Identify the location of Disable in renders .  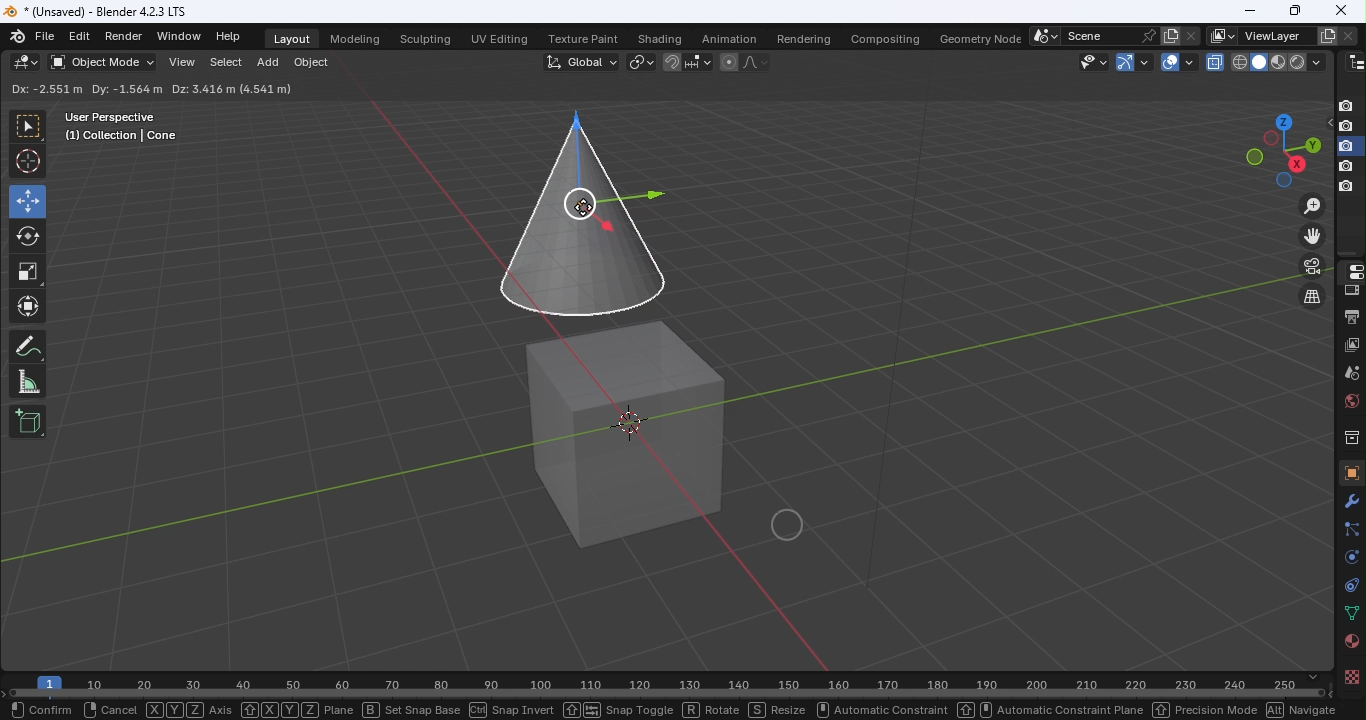
(1346, 105).